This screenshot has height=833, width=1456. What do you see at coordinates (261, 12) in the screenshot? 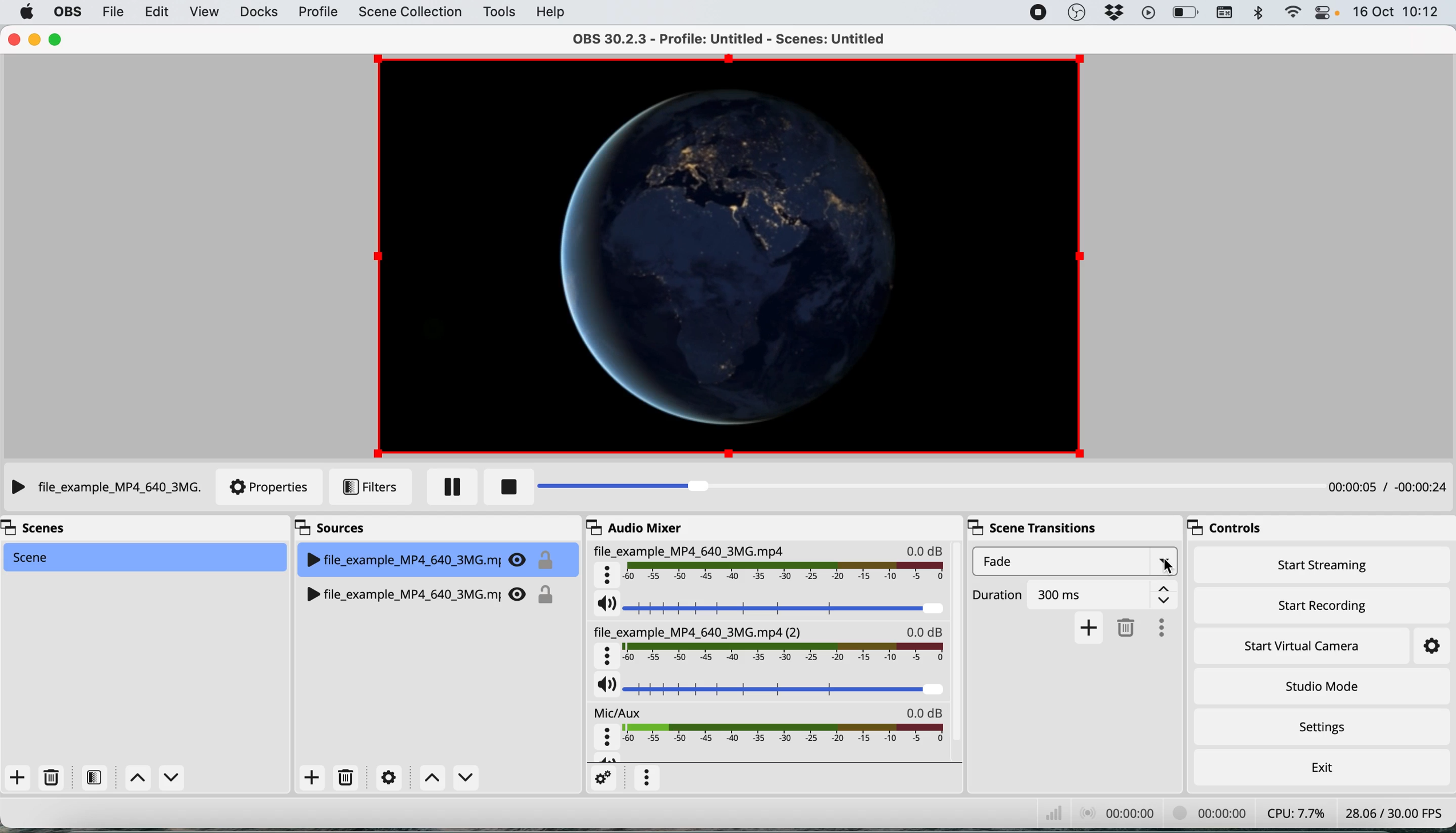
I see `docks` at bounding box center [261, 12].